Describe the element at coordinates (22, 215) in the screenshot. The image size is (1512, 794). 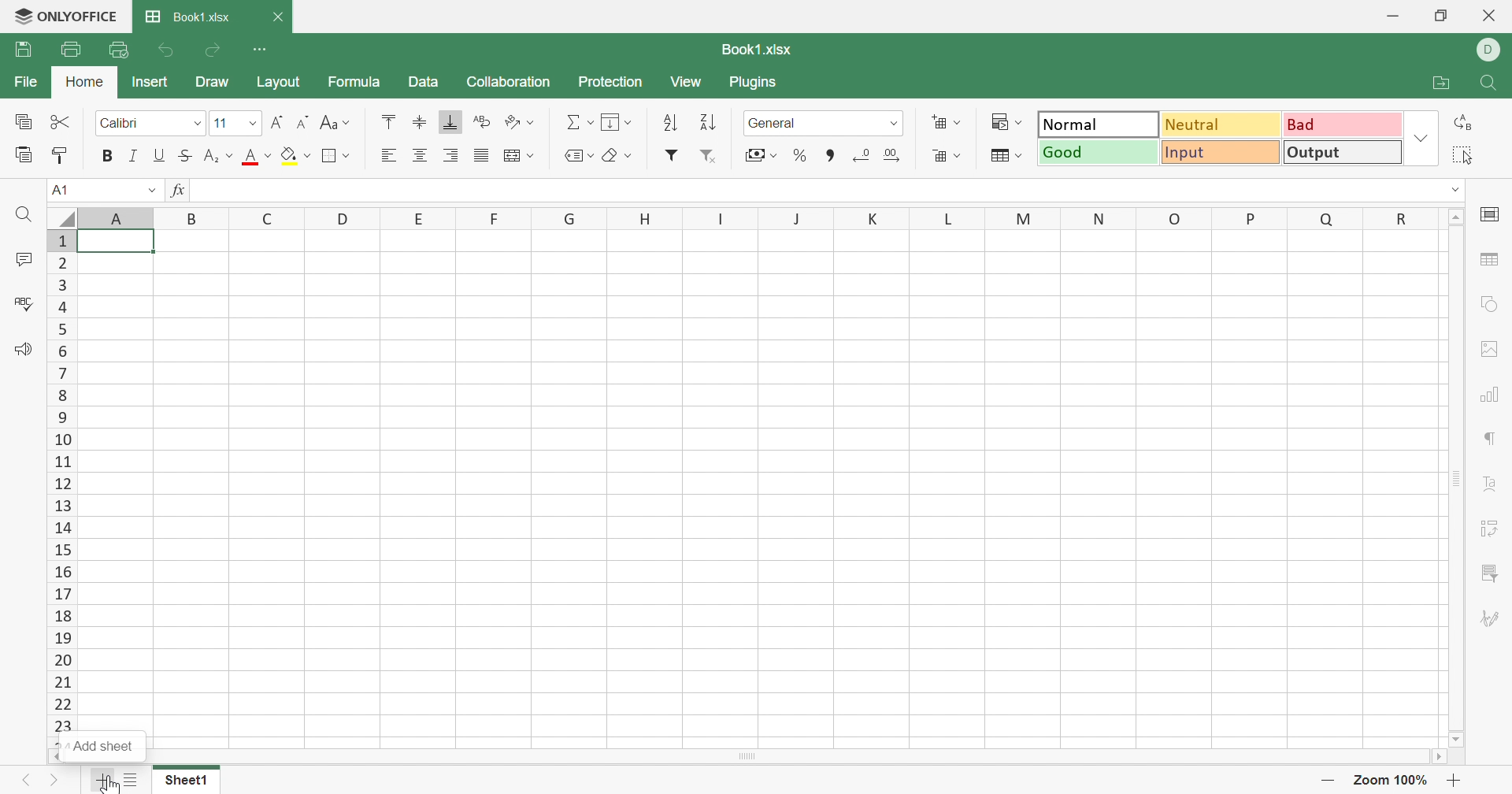
I see `Find` at that location.